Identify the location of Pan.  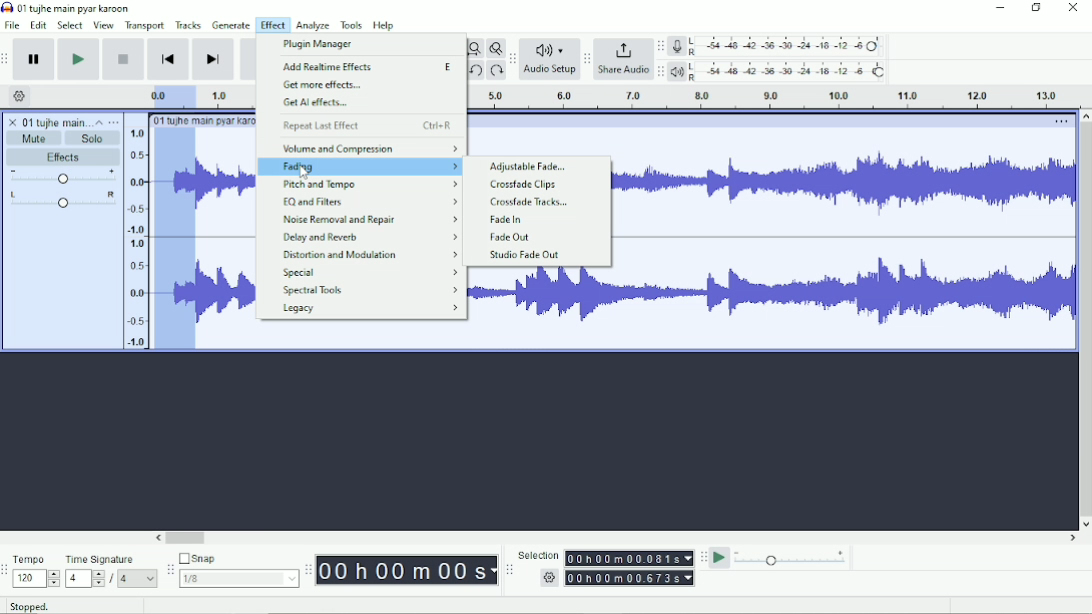
(62, 201).